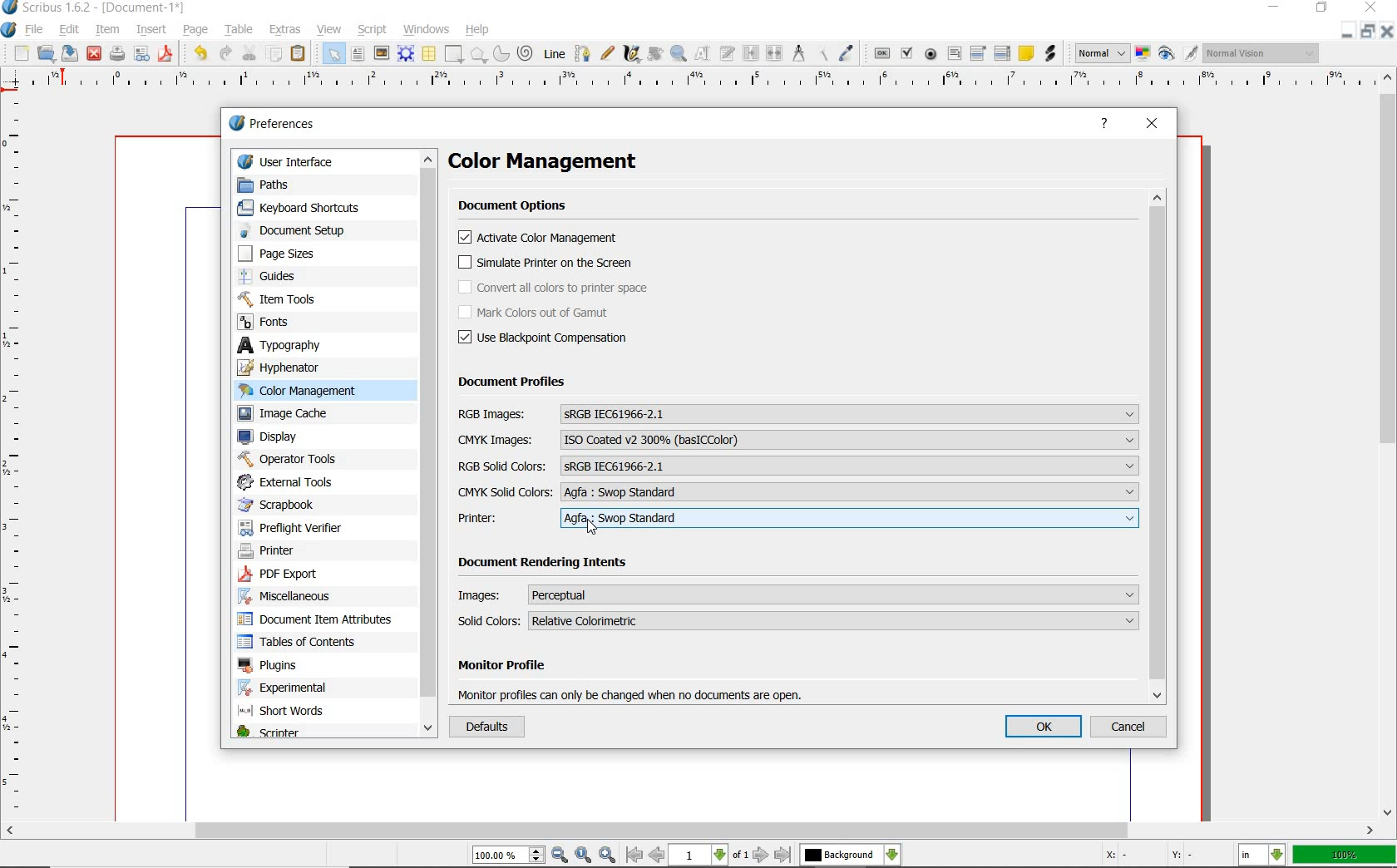 This screenshot has height=868, width=1397. What do you see at coordinates (47, 55) in the screenshot?
I see `open` at bounding box center [47, 55].